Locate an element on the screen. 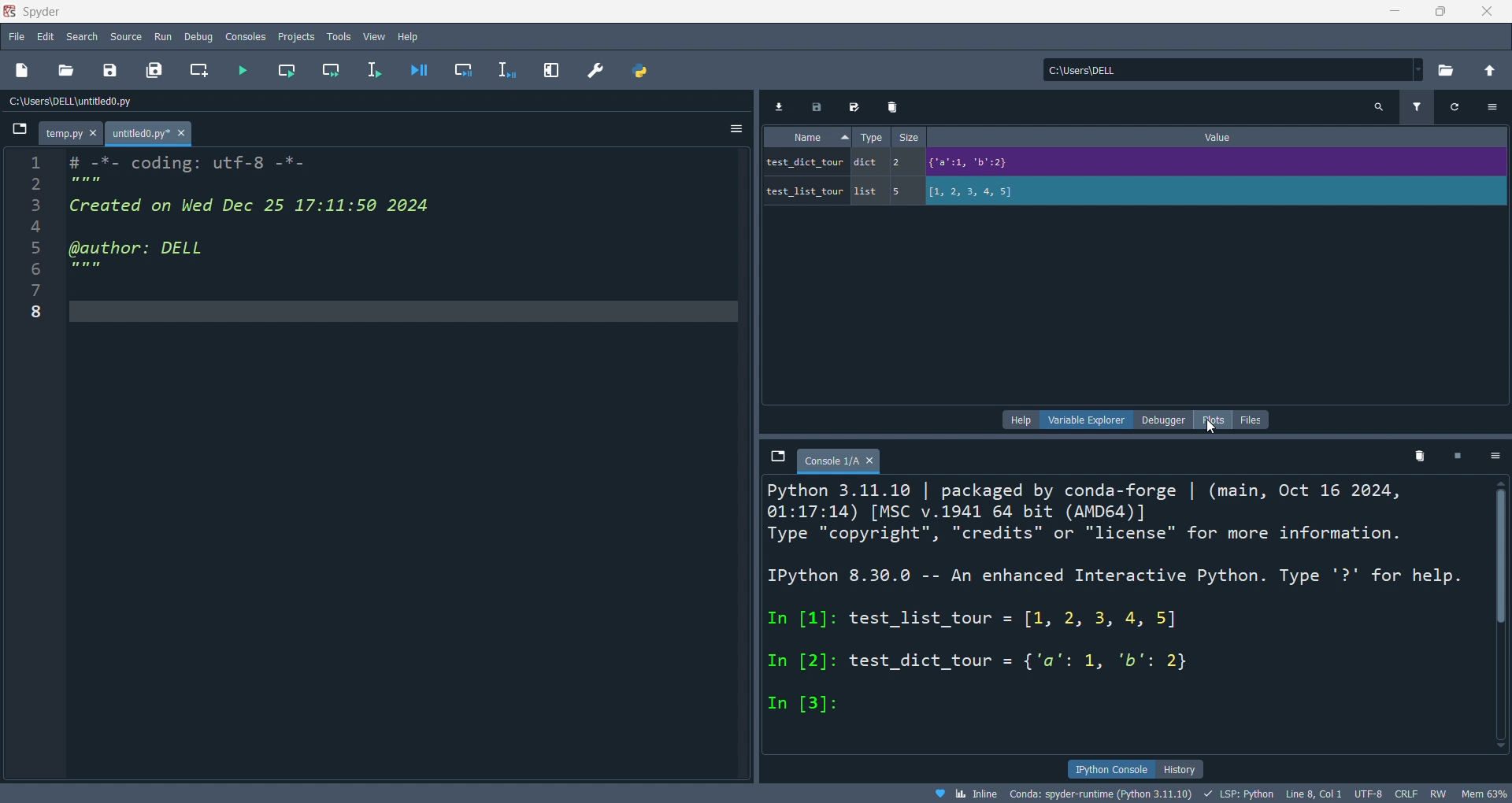  debug file is located at coordinates (423, 72).